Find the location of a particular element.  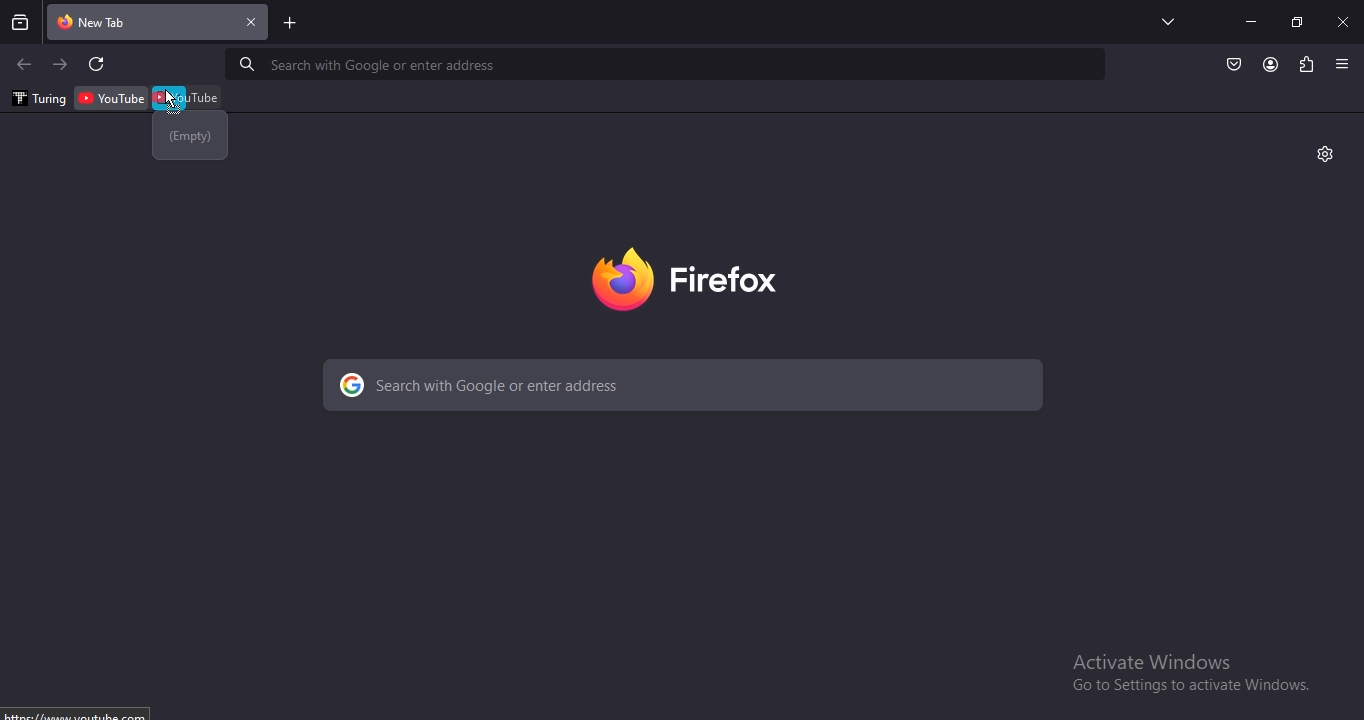

cursor is located at coordinates (170, 99).